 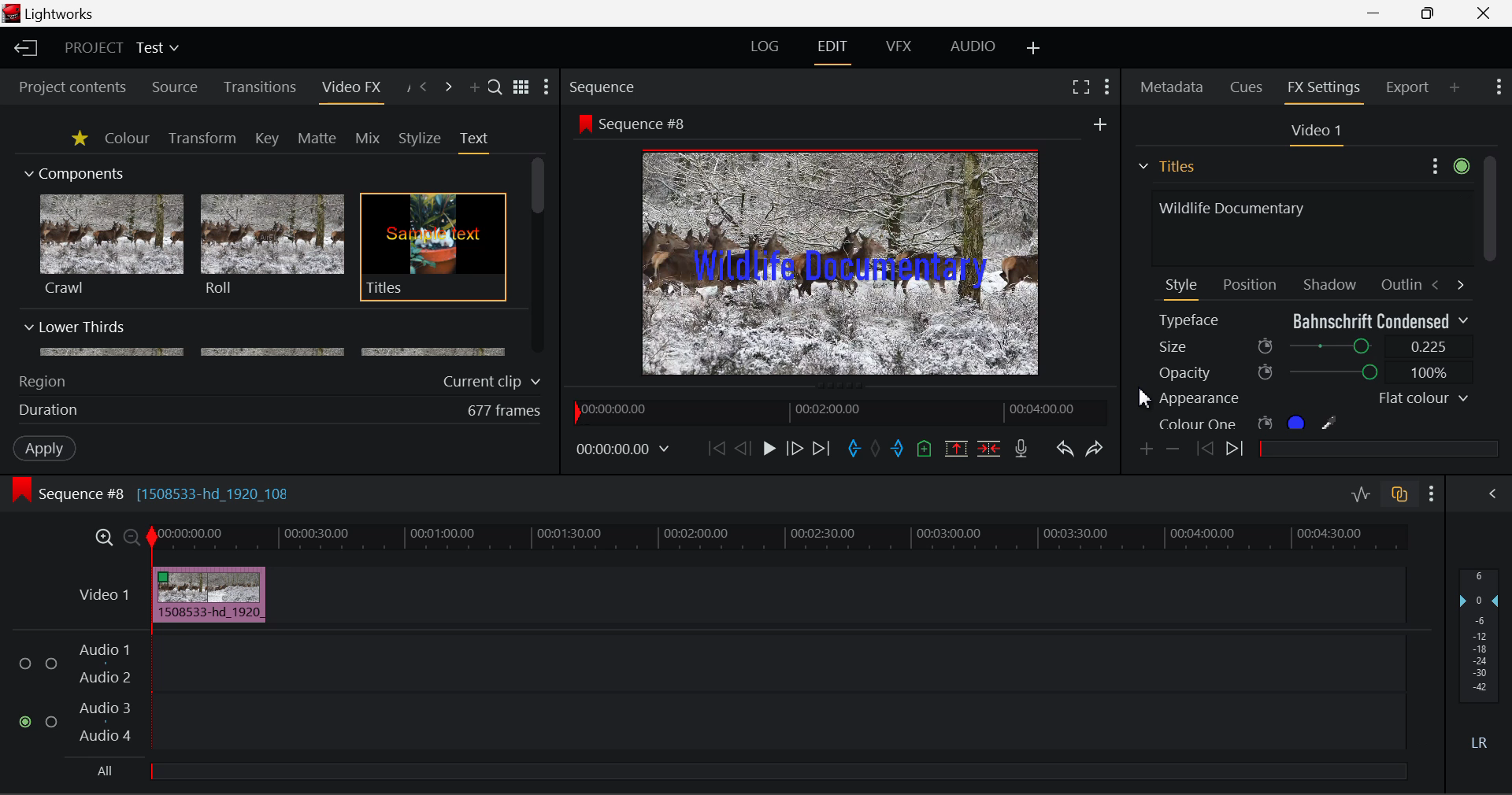 What do you see at coordinates (496, 86) in the screenshot?
I see `Search` at bounding box center [496, 86].